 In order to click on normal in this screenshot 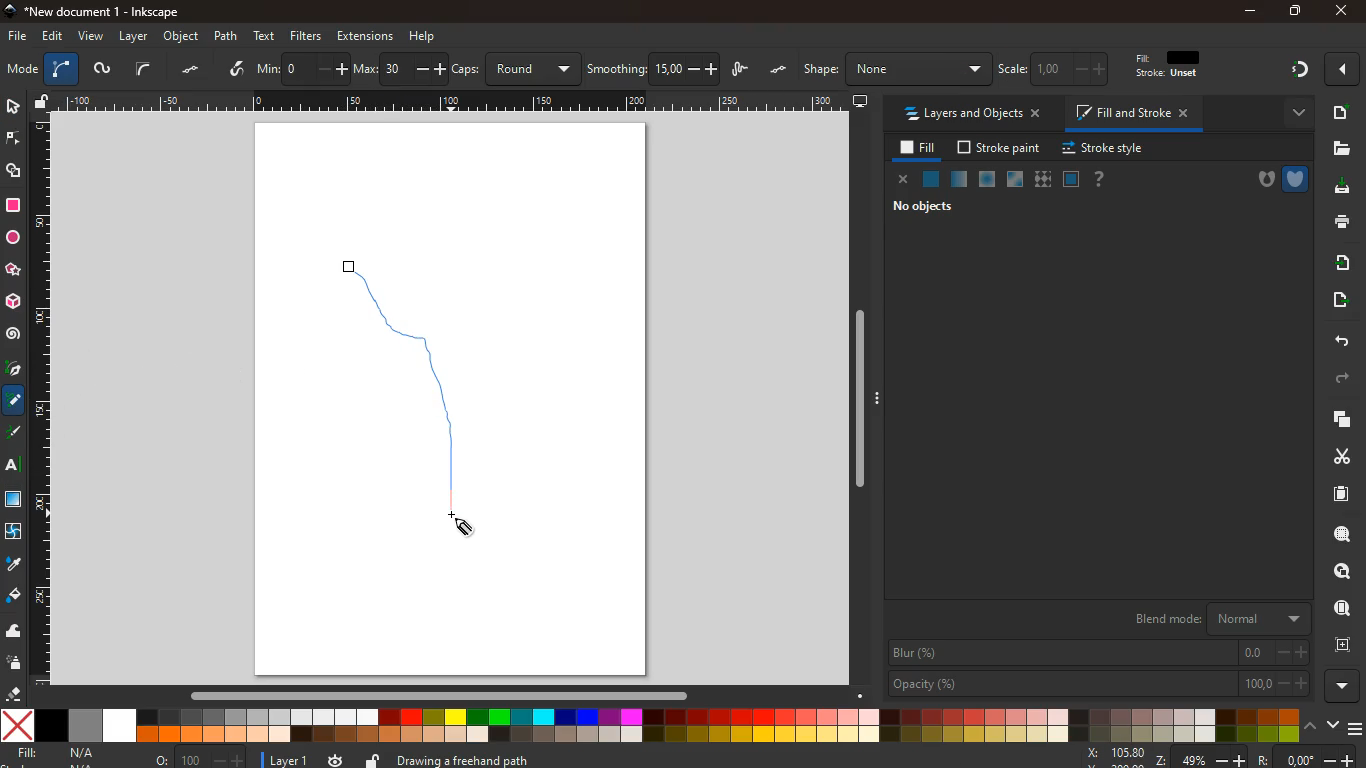, I will do `click(931, 179)`.